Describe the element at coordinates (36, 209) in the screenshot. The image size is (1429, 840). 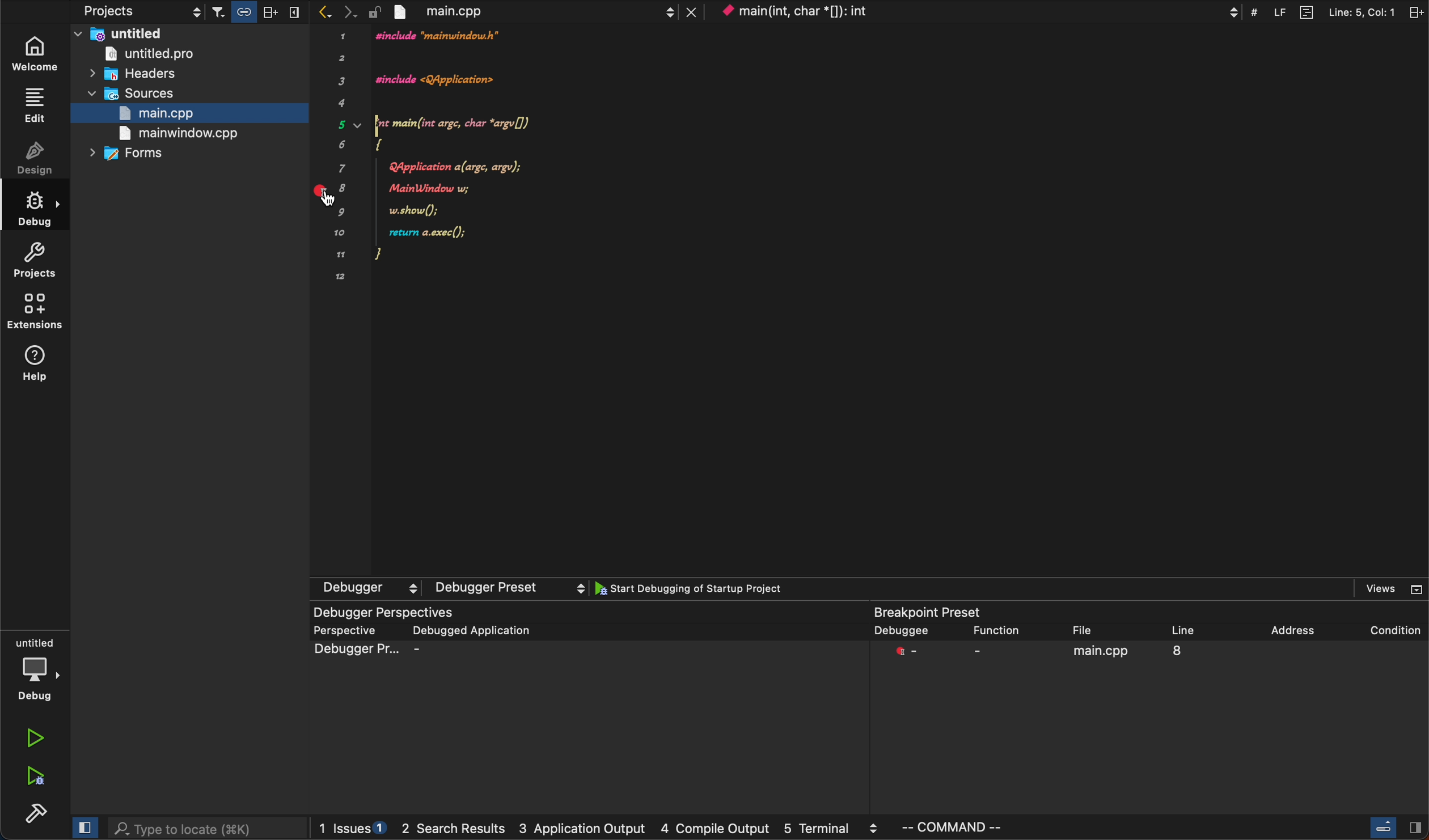
I see `debug` at that location.